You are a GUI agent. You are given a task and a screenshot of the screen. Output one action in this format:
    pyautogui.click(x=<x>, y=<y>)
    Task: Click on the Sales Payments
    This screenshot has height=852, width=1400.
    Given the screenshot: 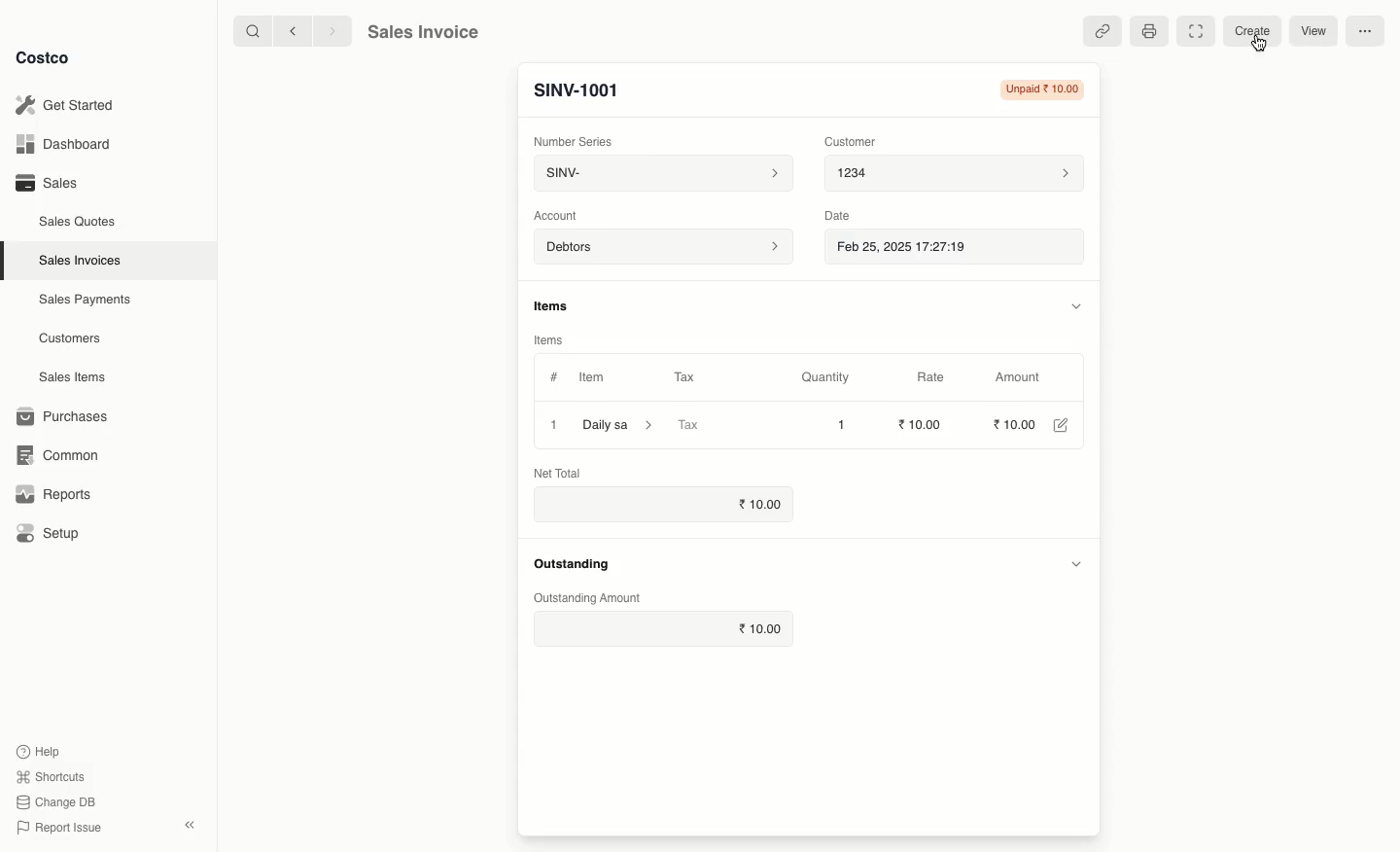 What is the action you would take?
    pyautogui.click(x=81, y=301)
    